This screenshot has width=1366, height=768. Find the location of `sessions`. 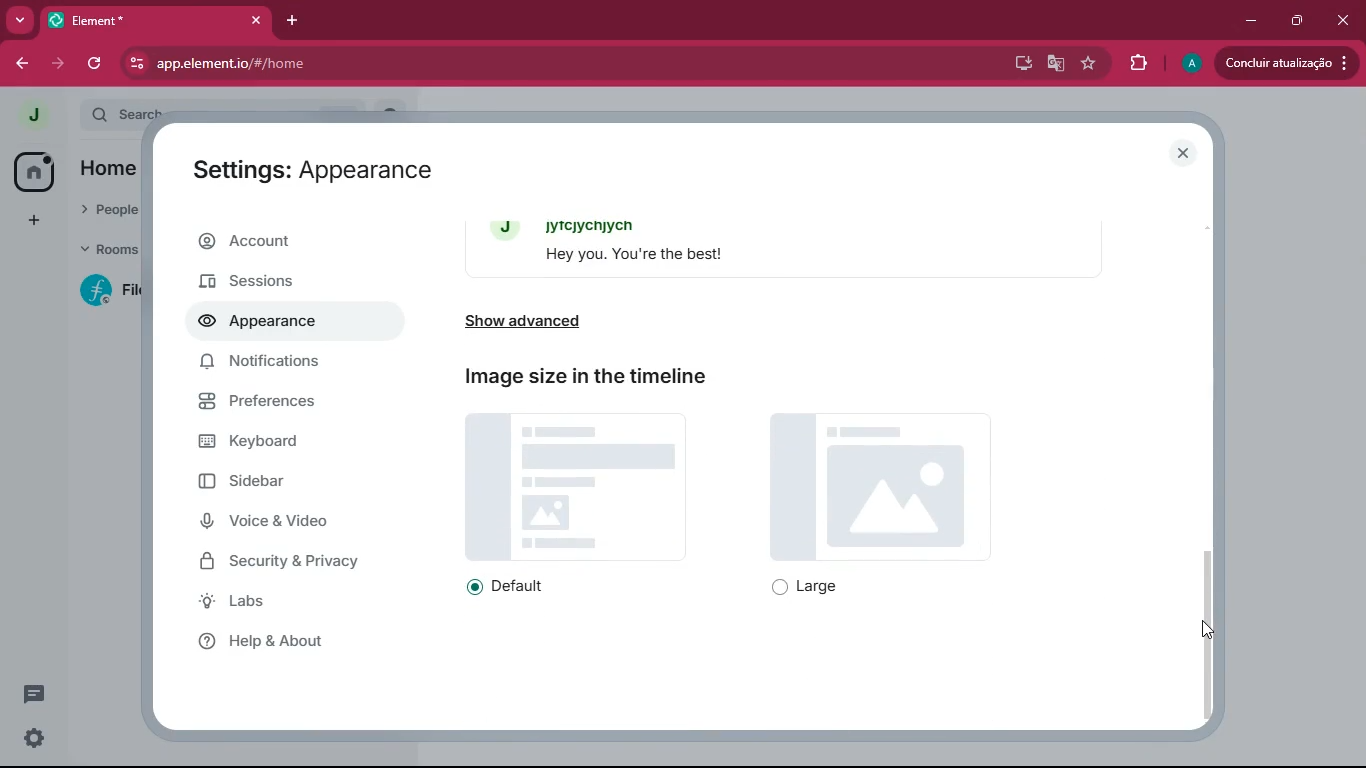

sessions is located at coordinates (283, 280).